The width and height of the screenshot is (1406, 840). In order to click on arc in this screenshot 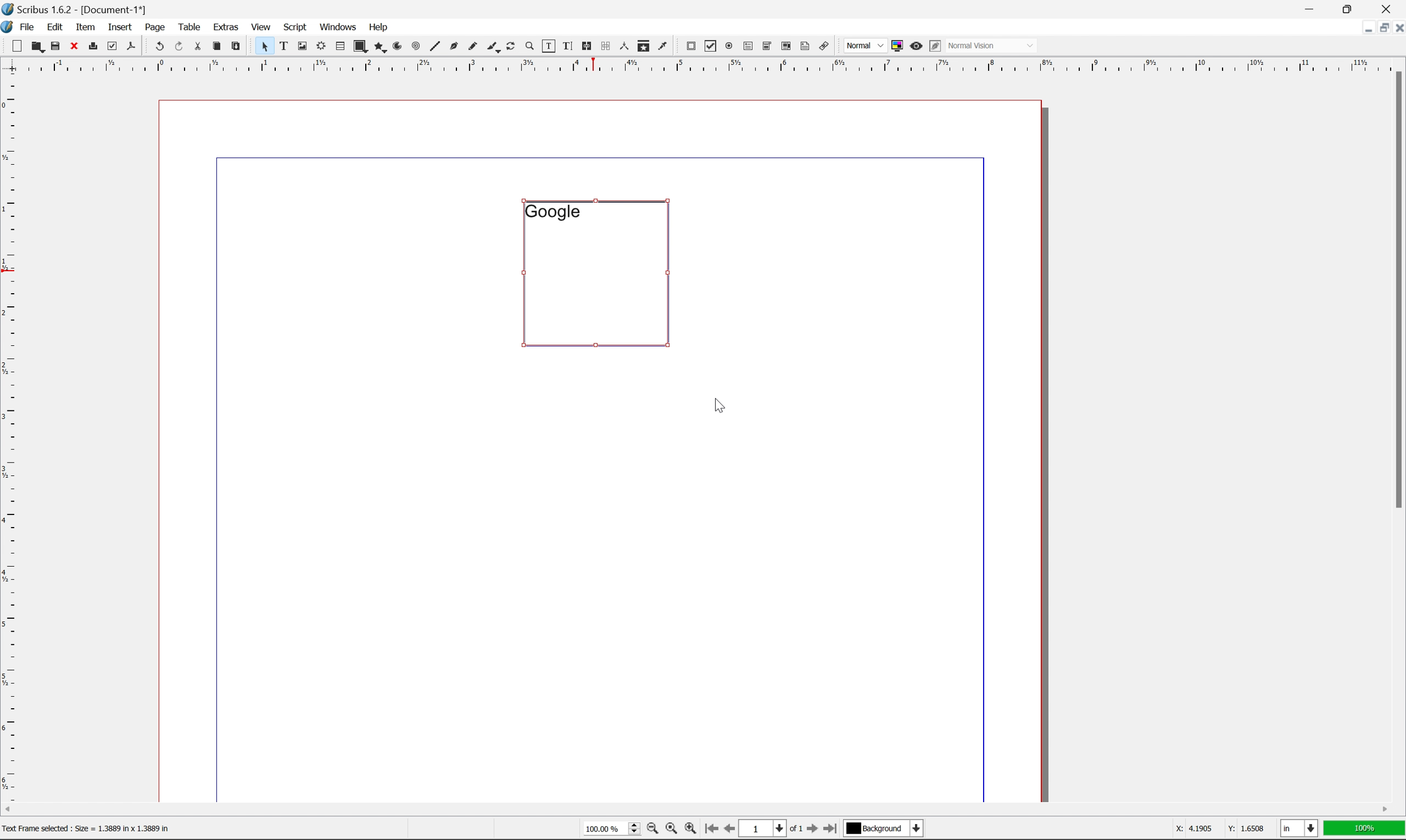, I will do `click(399, 46)`.